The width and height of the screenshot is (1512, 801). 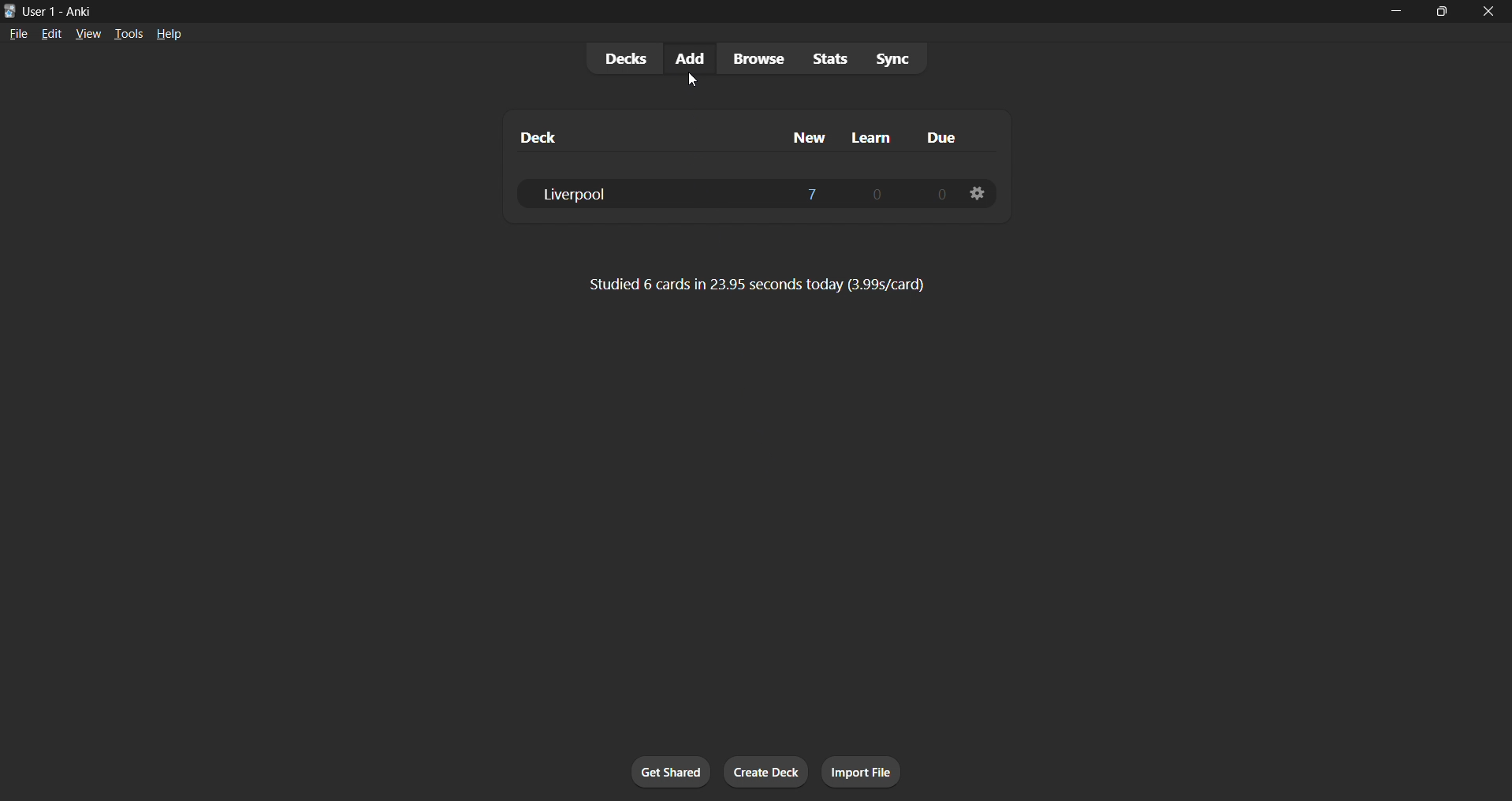 What do you see at coordinates (755, 58) in the screenshot?
I see `browse` at bounding box center [755, 58].